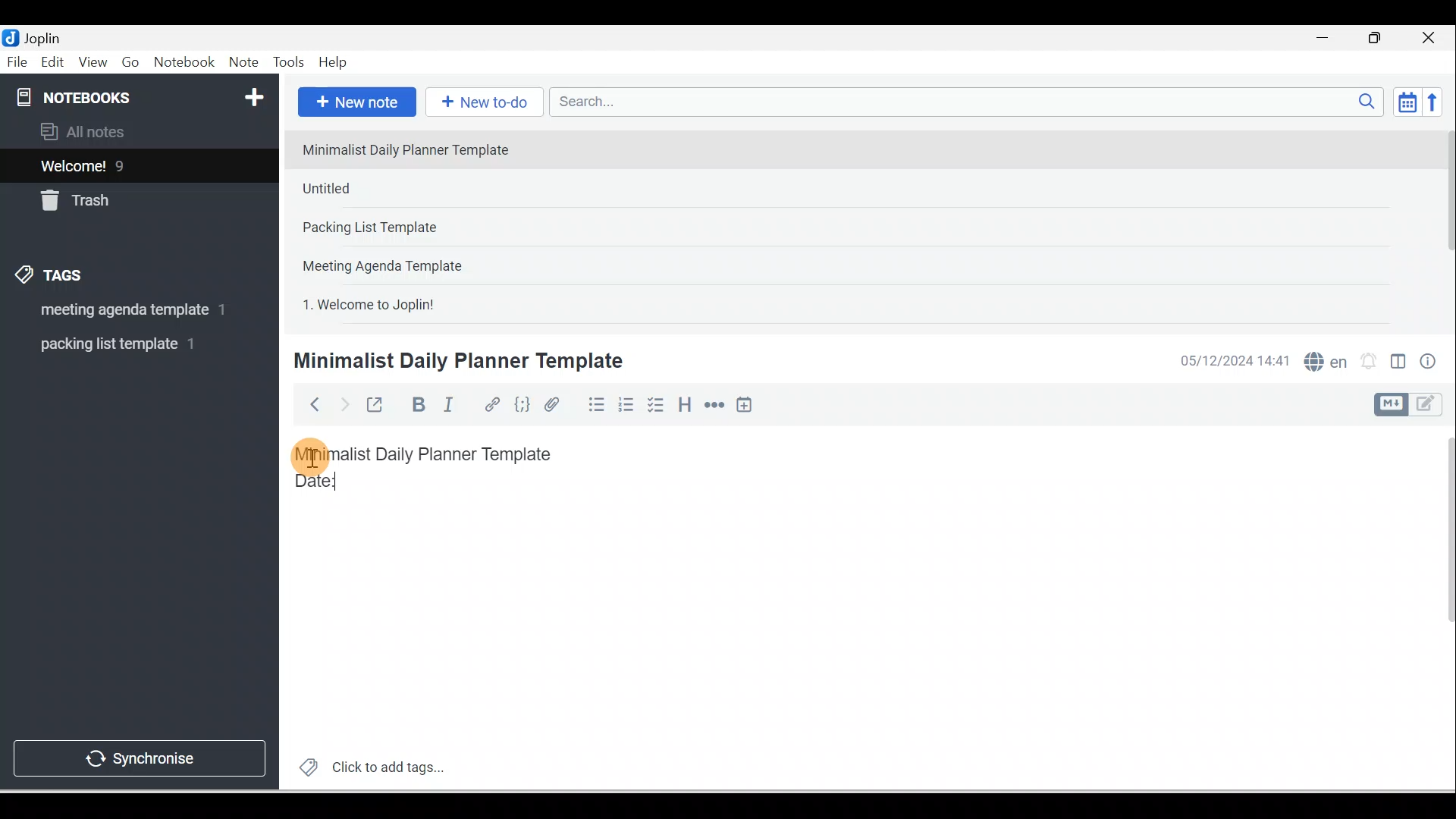  I want to click on Date & time, so click(1232, 361).